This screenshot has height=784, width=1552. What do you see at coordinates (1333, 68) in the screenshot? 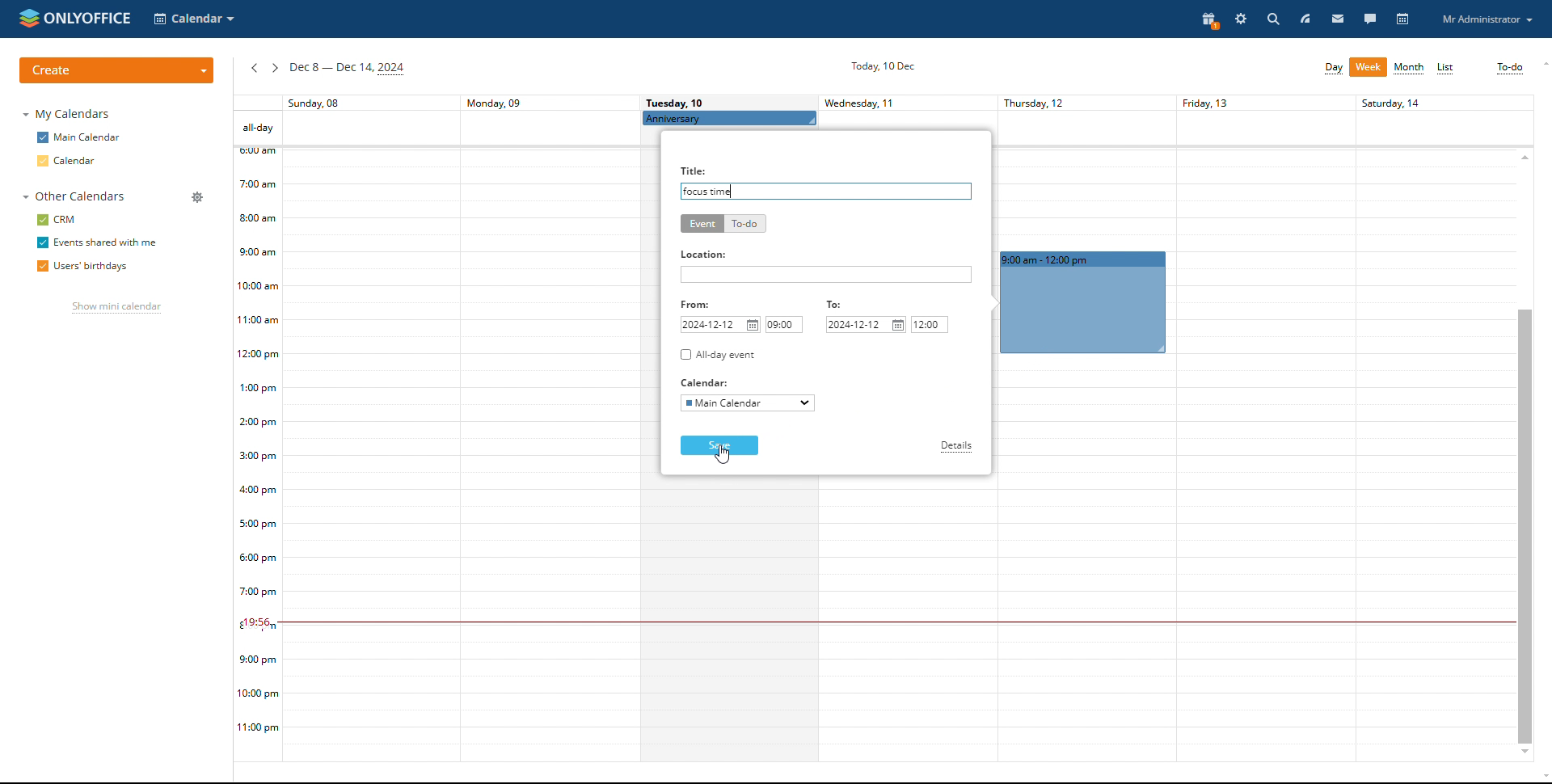
I see `day view` at bounding box center [1333, 68].